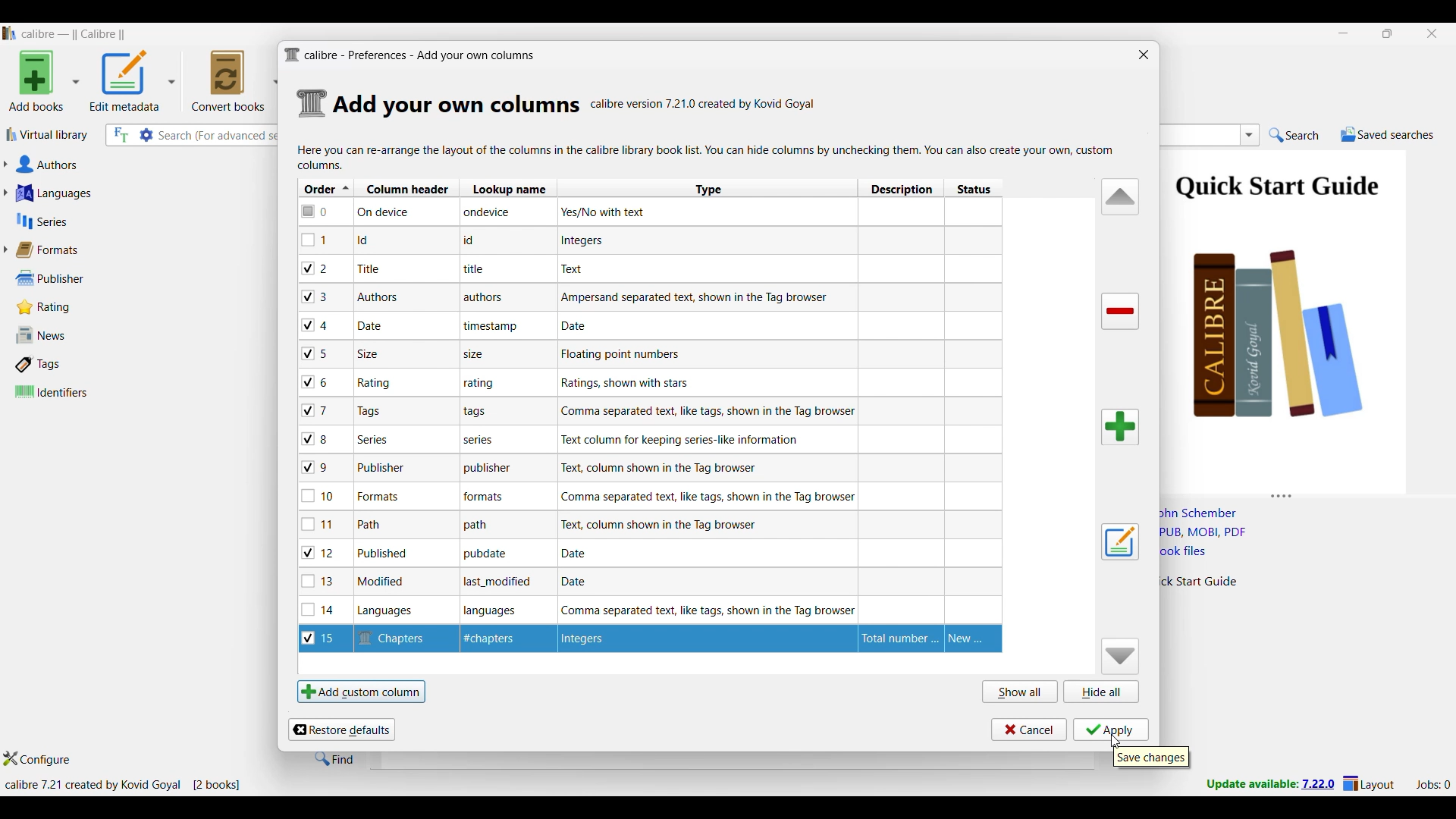 The height and width of the screenshot is (819, 1456). Describe the element at coordinates (316, 240) in the screenshot. I see `checkbox - 1` at that location.